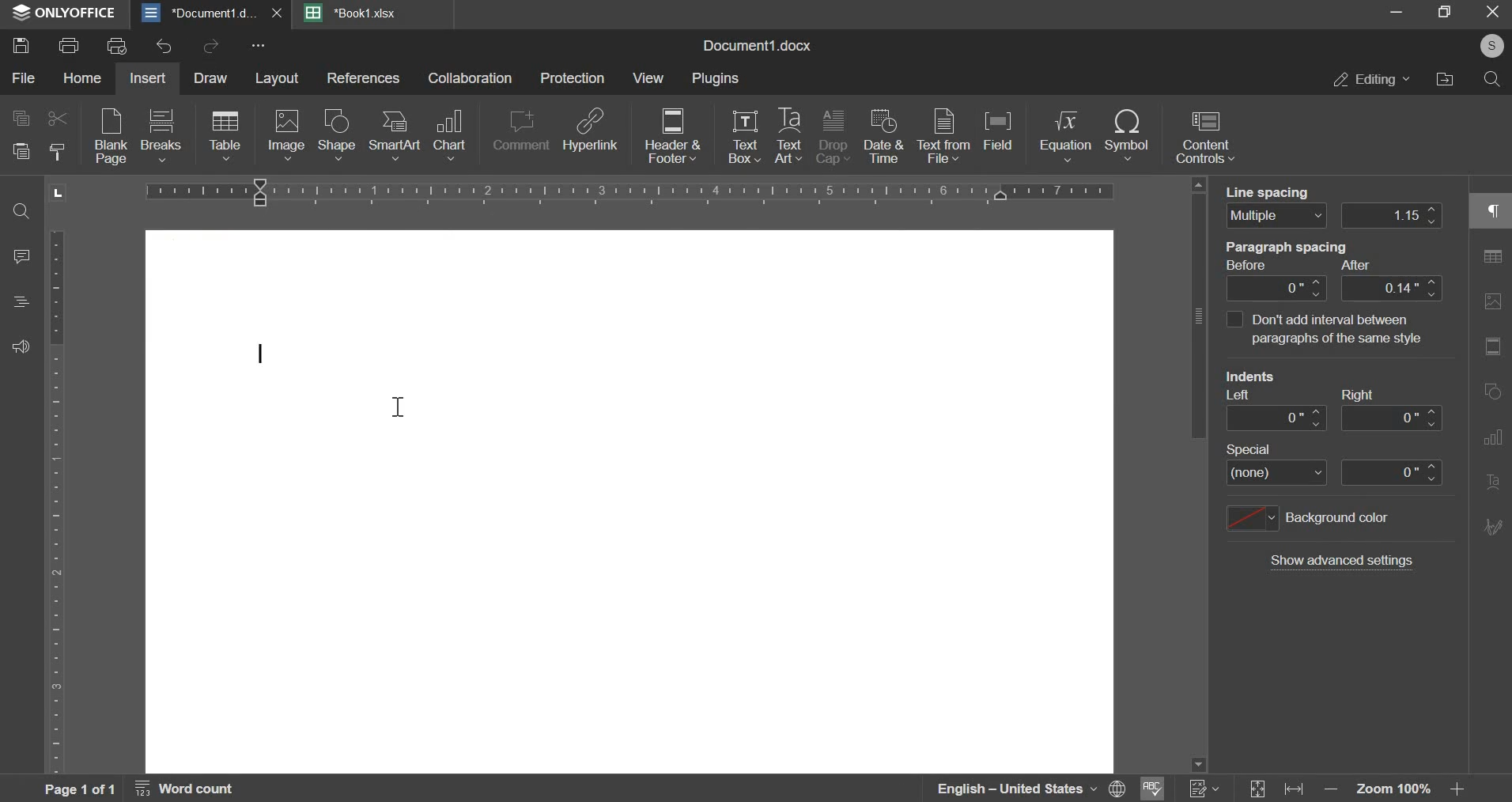 The image size is (1512, 802). What do you see at coordinates (788, 137) in the screenshot?
I see `text art` at bounding box center [788, 137].